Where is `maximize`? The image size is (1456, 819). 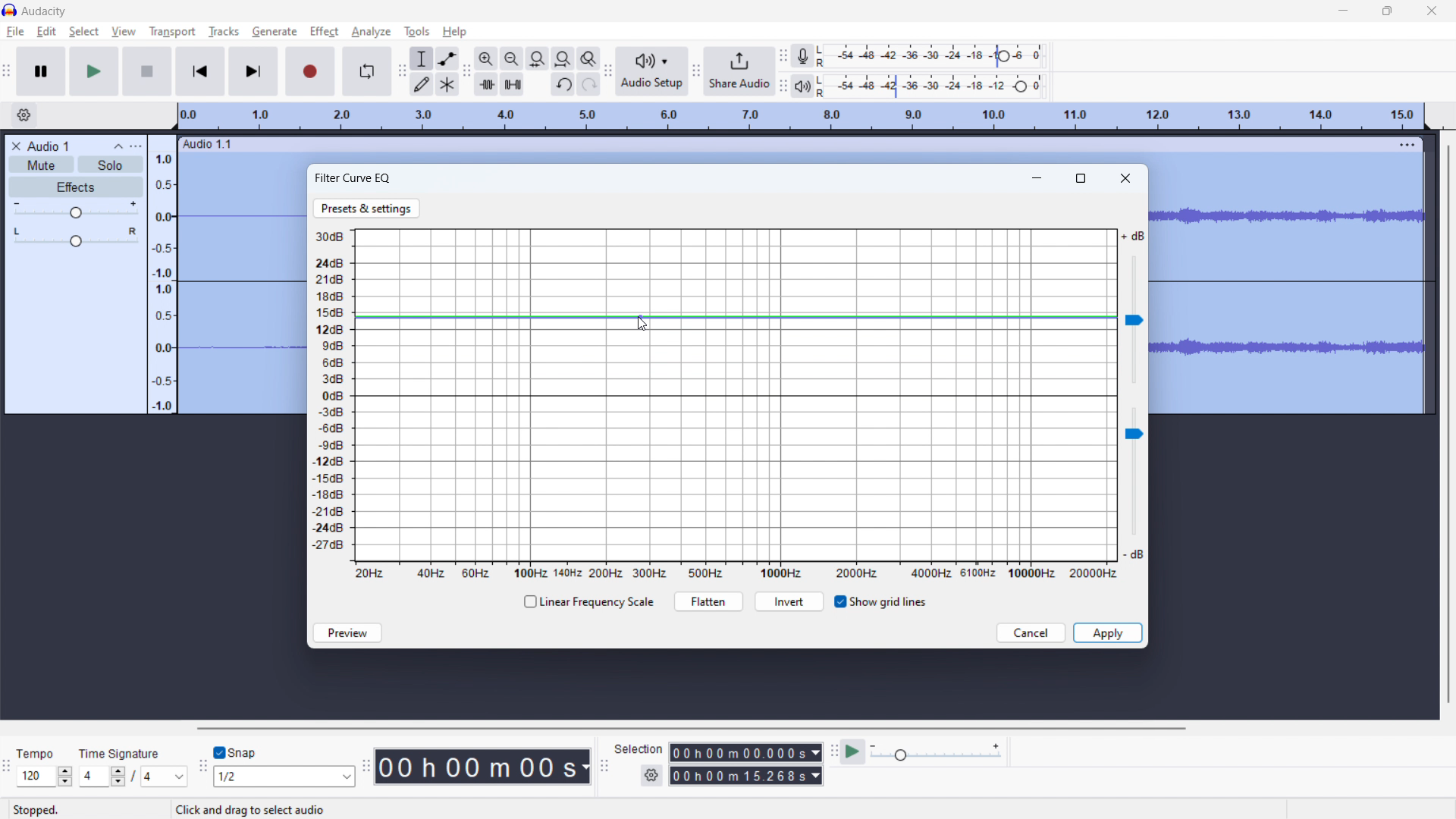
maximize is located at coordinates (1387, 11).